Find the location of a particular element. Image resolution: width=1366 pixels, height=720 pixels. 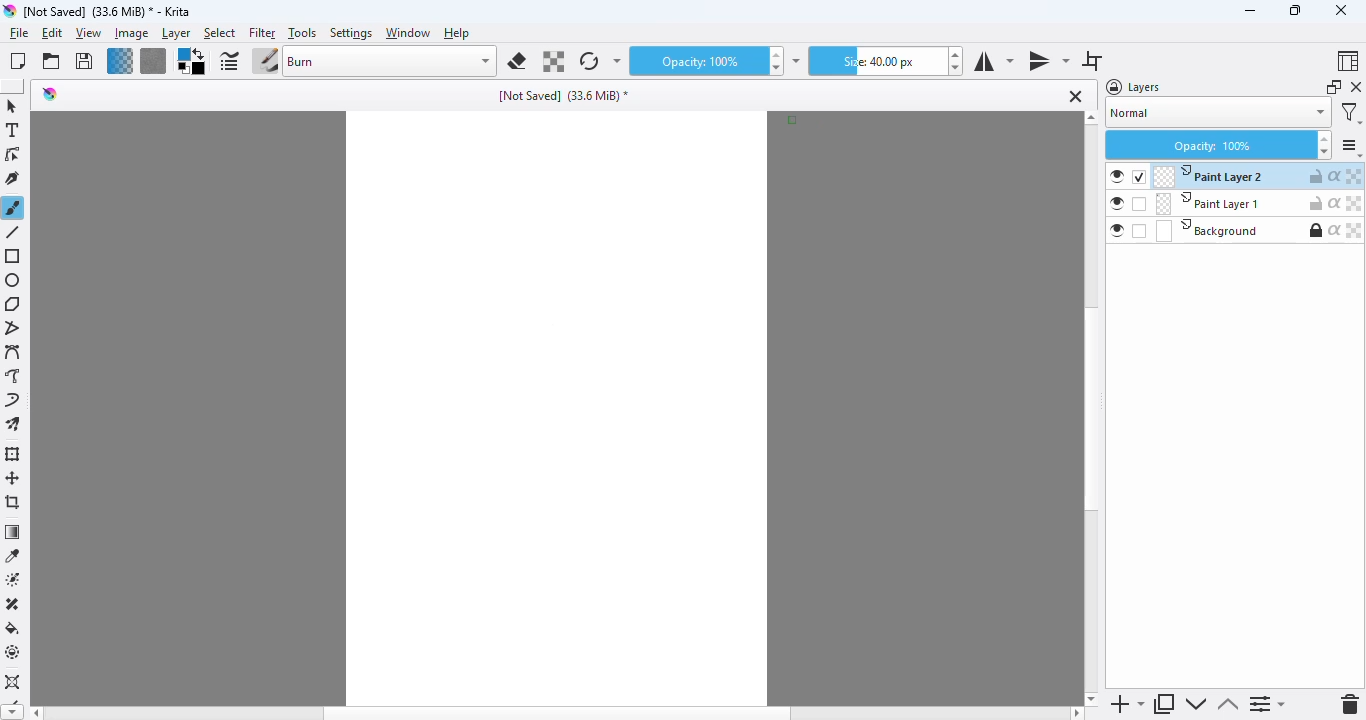

float docker is located at coordinates (1334, 87).